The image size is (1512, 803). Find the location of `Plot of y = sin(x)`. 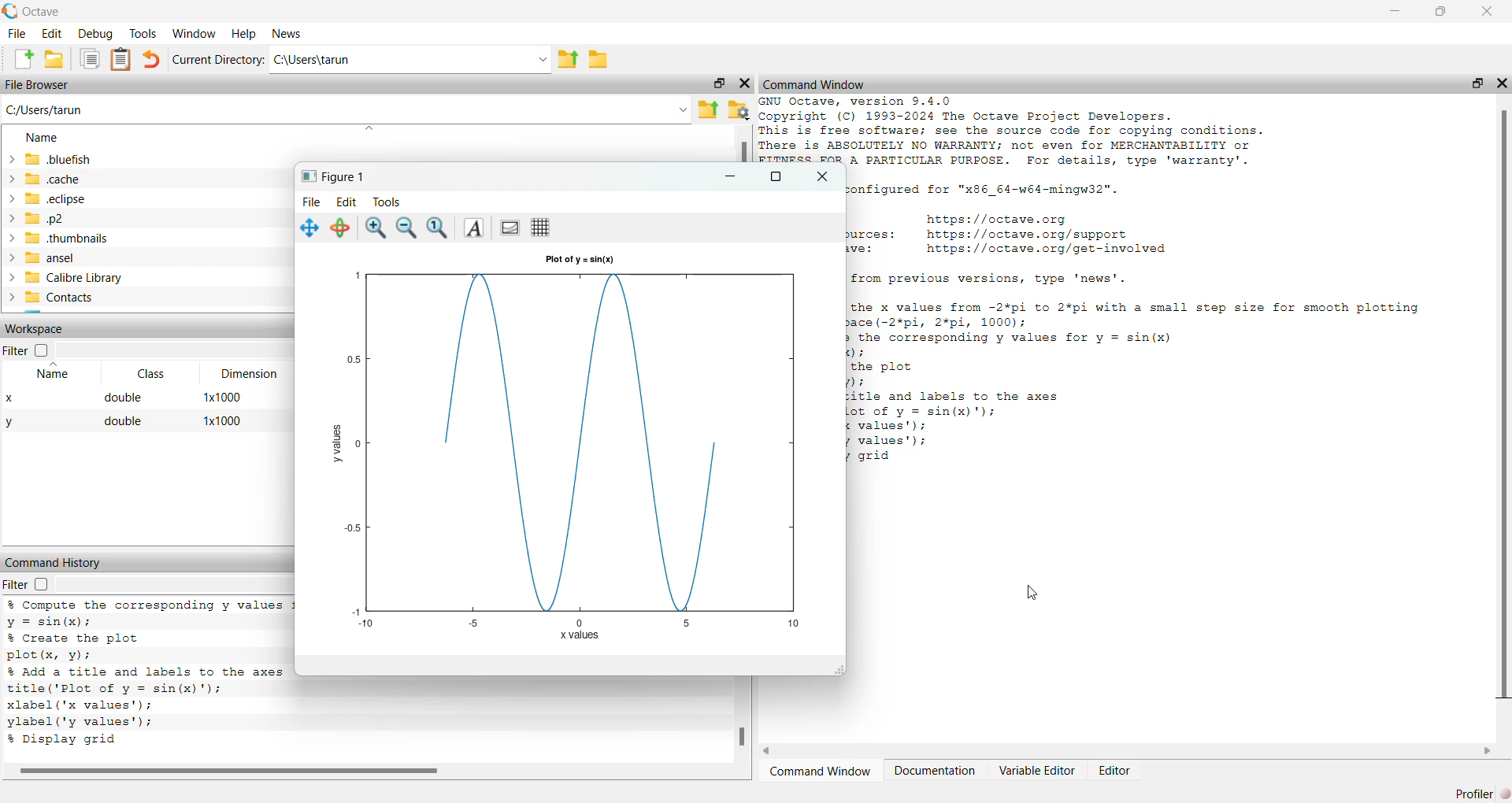

Plot of y = sin(x) is located at coordinates (578, 257).